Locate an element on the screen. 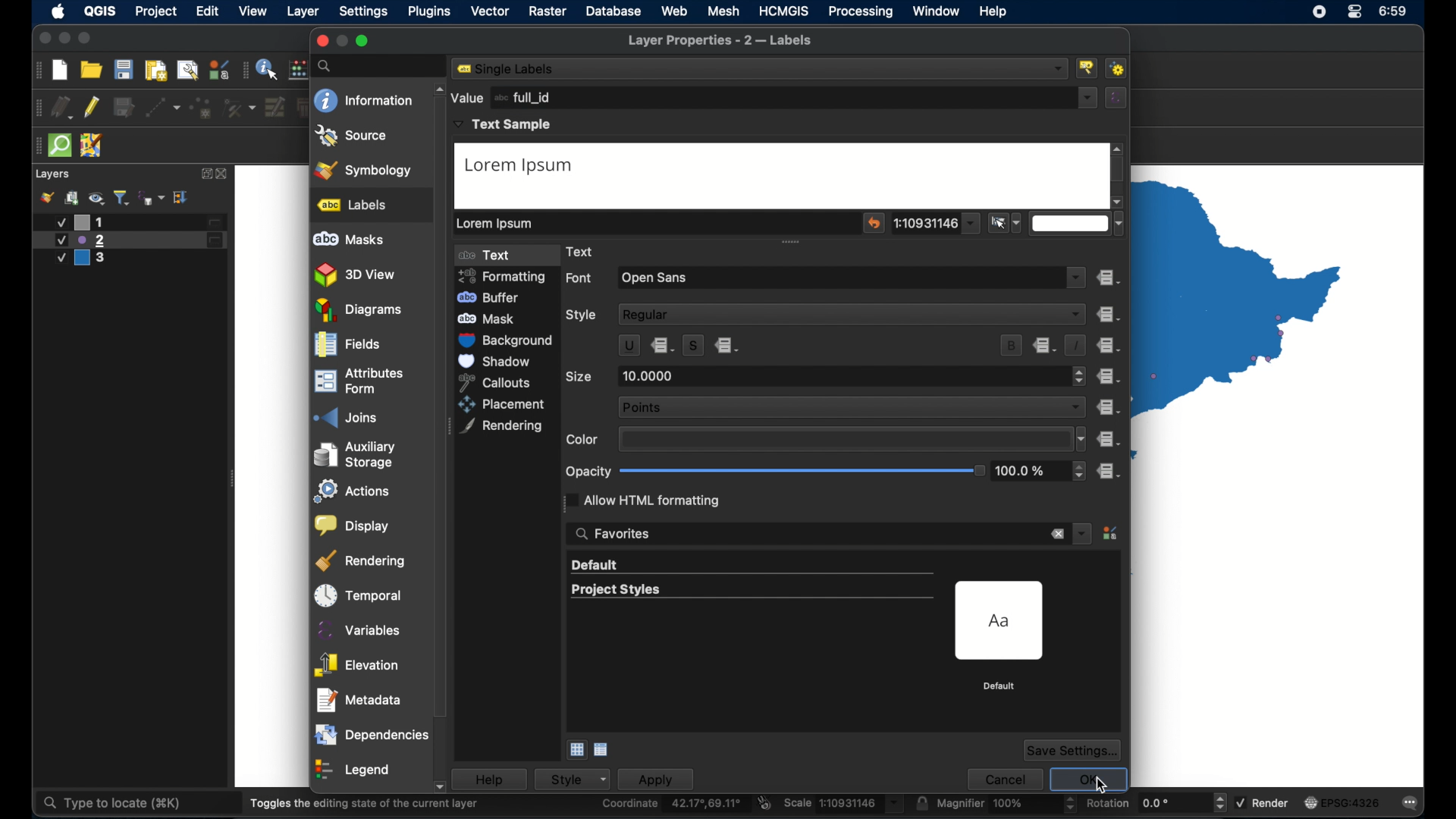  print layout is located at coordinates (156, 71).